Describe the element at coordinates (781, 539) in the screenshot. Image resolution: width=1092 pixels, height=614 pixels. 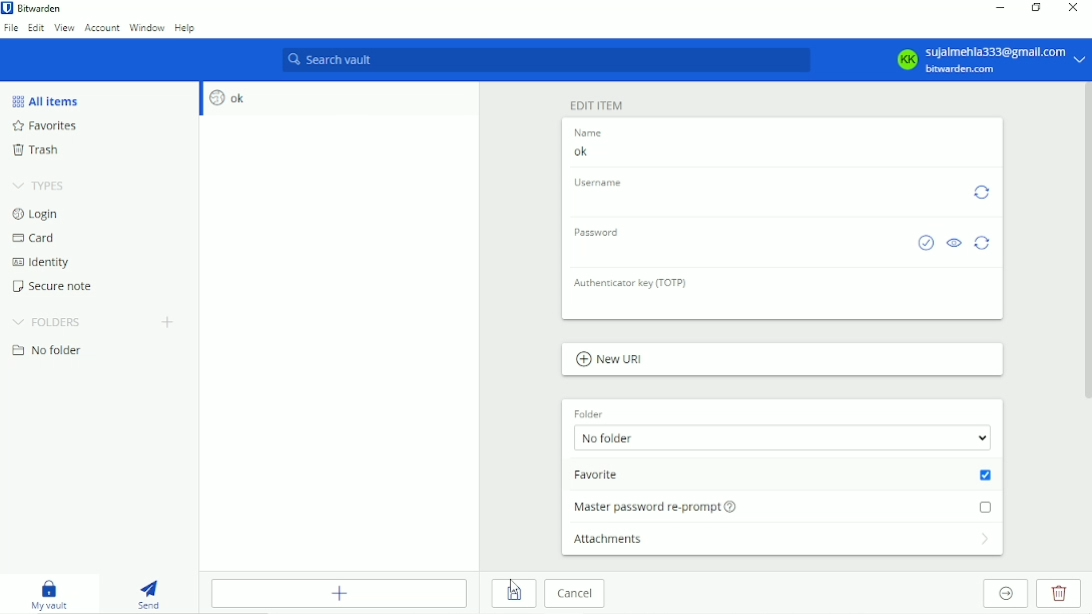
I see `Attachments` at that location.